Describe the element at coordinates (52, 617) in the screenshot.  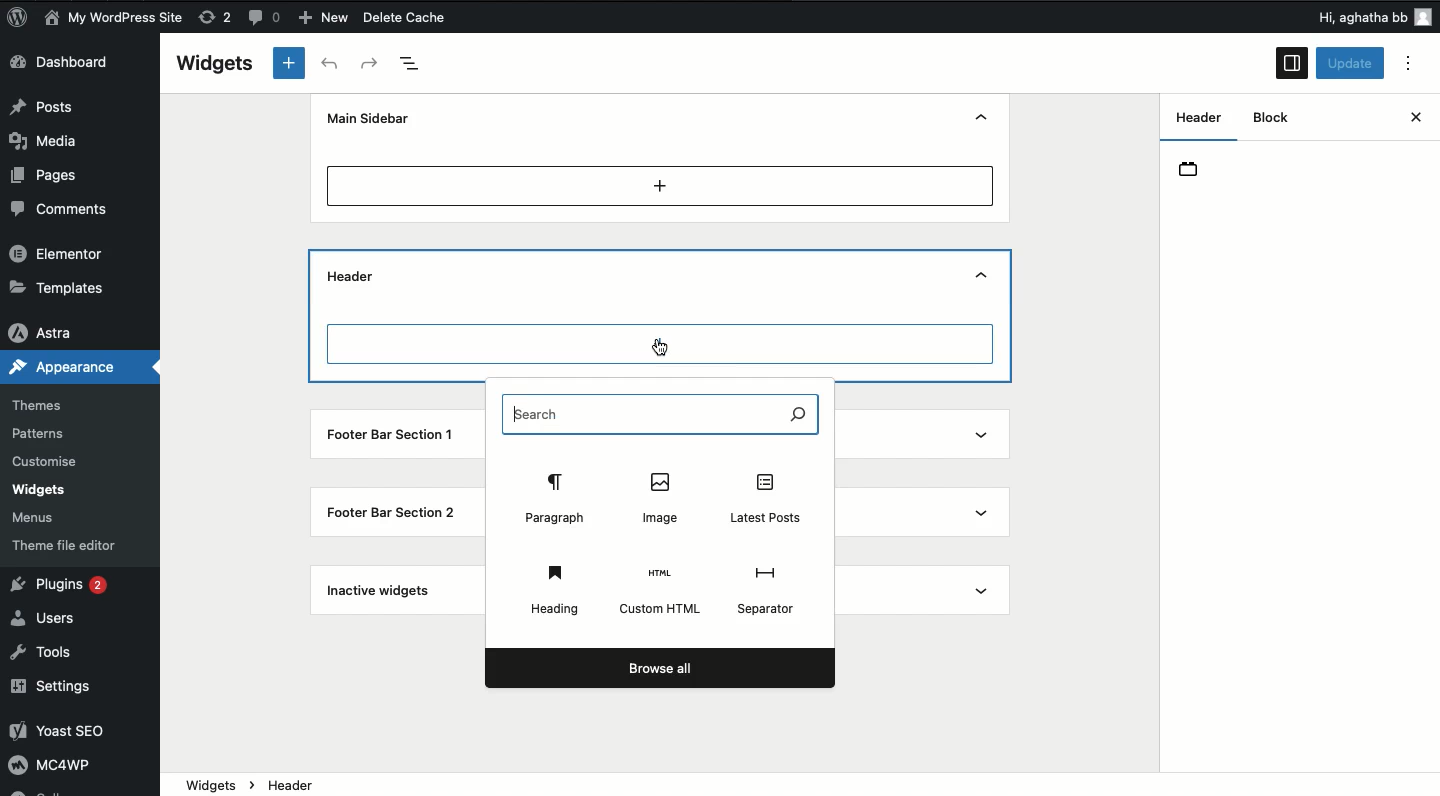
I see `Users` at that location.